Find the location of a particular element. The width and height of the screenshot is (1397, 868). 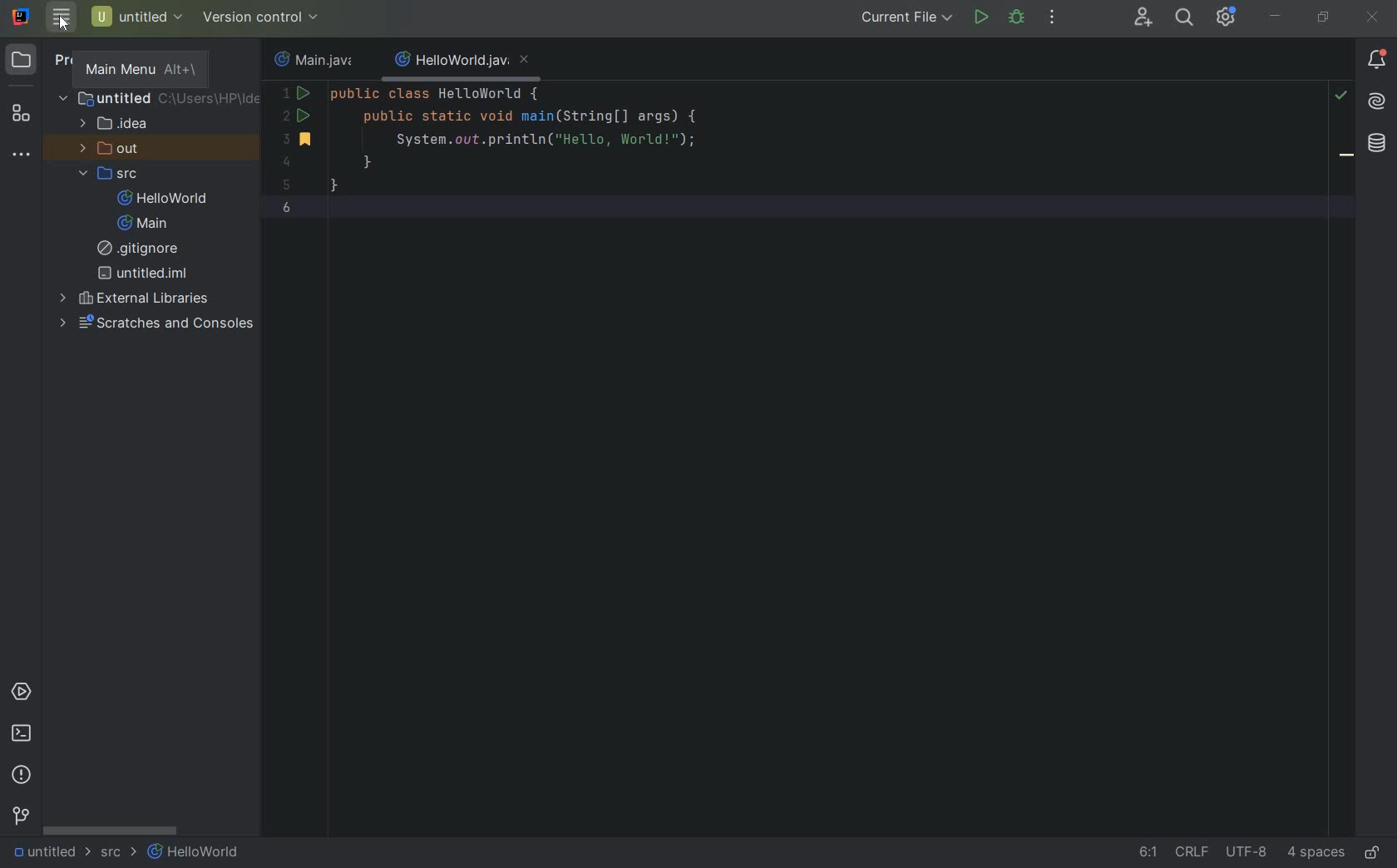

codes is located at coordinates (532, 150).